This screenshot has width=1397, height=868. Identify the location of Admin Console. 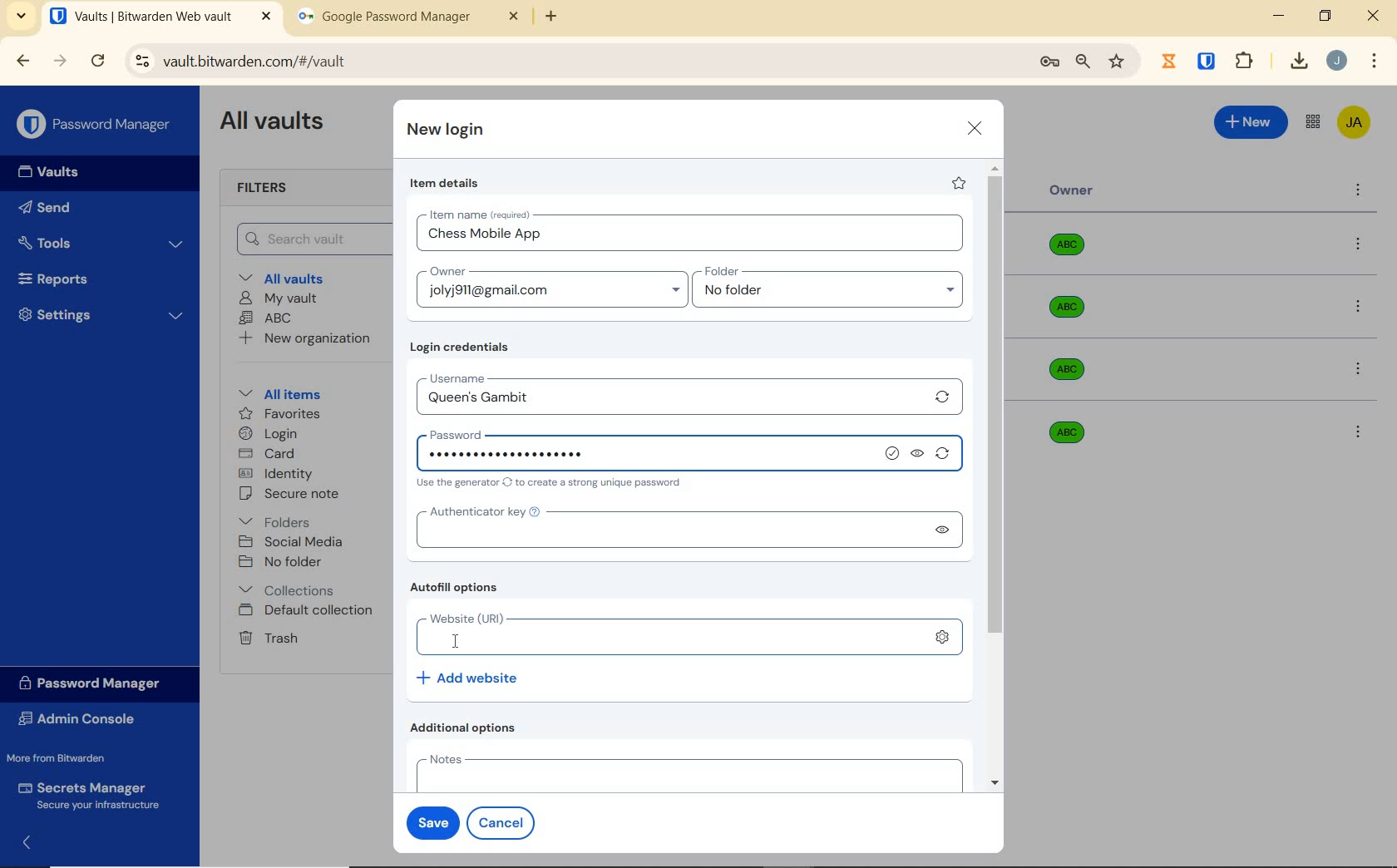
(81, 721).